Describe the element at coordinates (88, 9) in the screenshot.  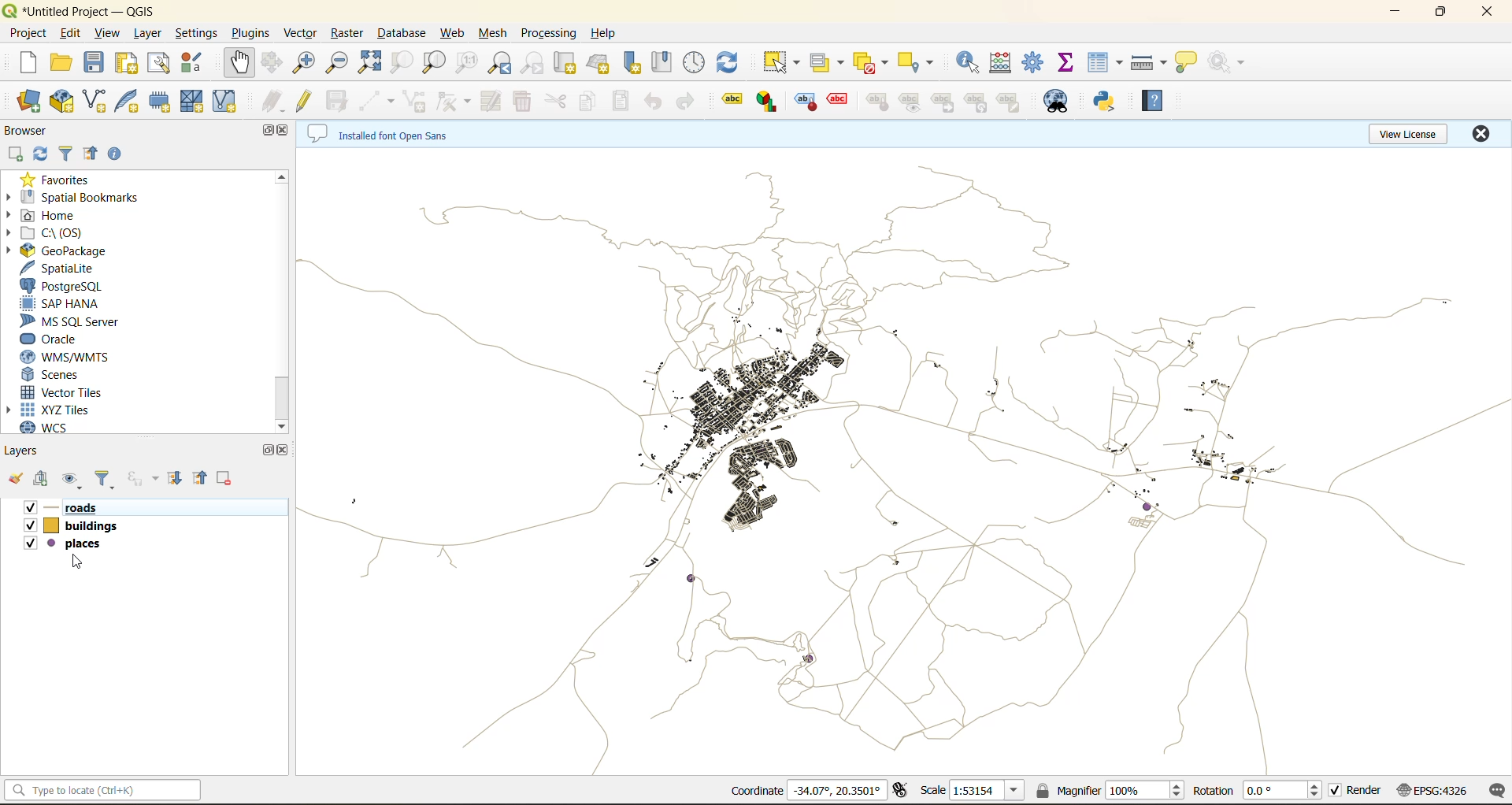
I see `file name and app name` at that location.